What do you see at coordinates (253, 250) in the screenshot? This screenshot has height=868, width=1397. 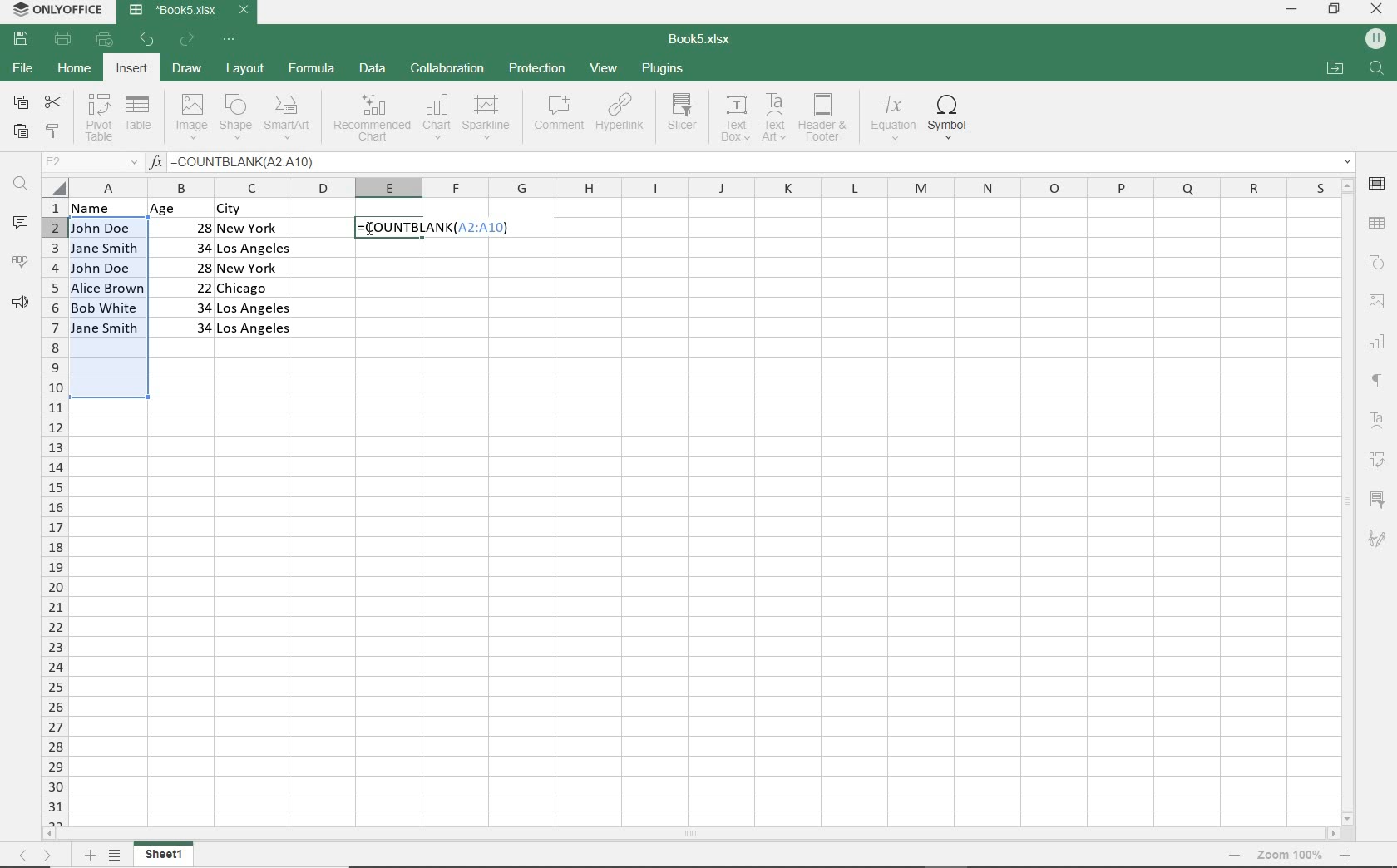 I see `Los Angeles` at bounding box center [253, 250].